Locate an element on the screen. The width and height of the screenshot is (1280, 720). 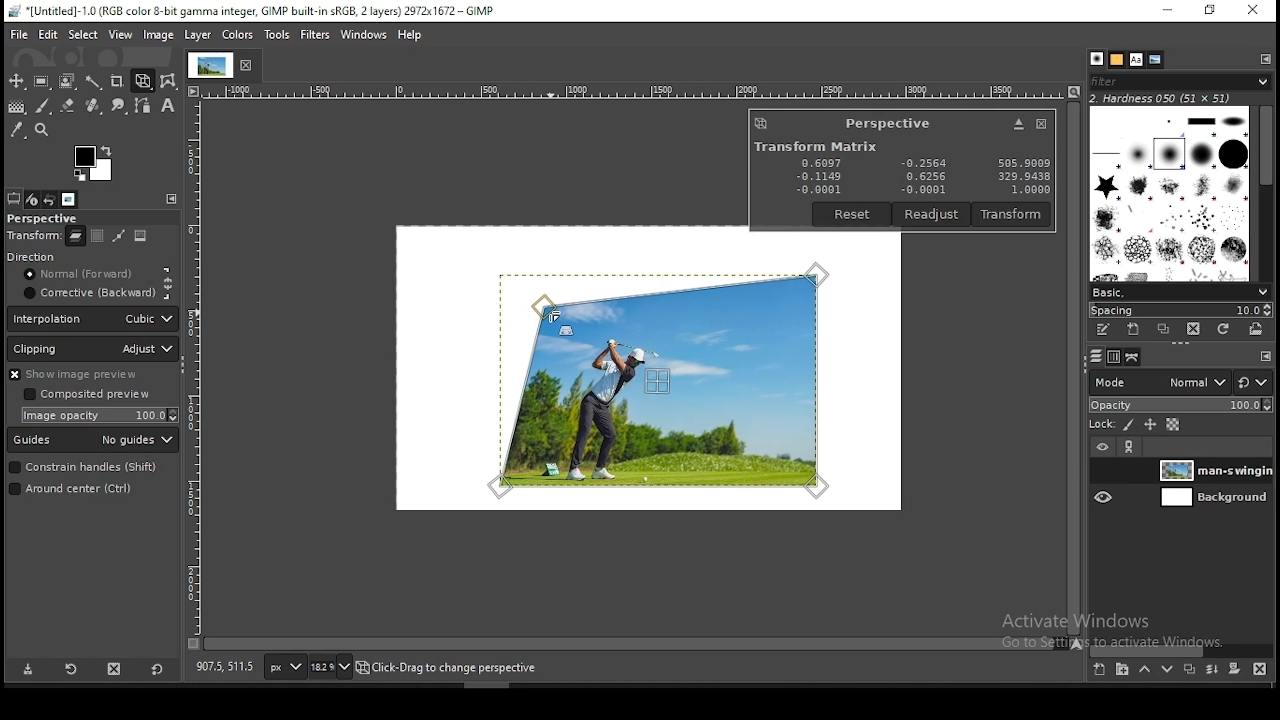
corrective (backward) is located at coordinates (87, 295).